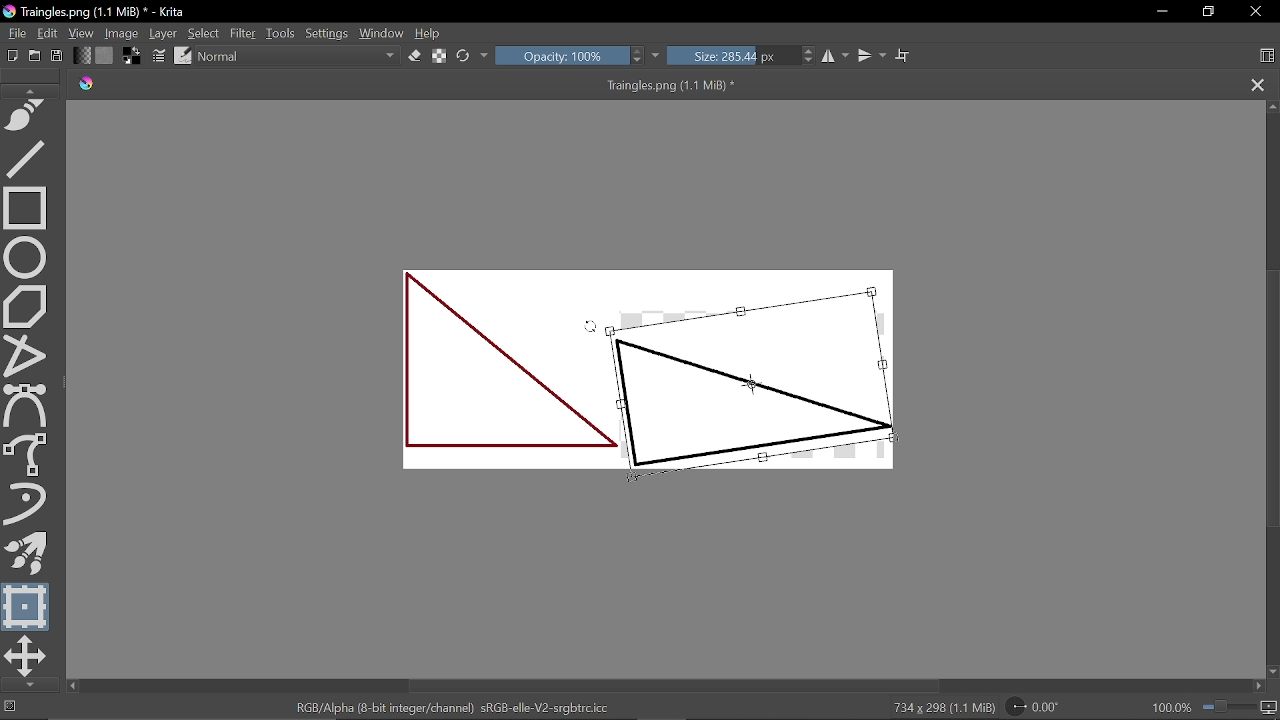  I want to click on Polygon tool, so click(28, 304).